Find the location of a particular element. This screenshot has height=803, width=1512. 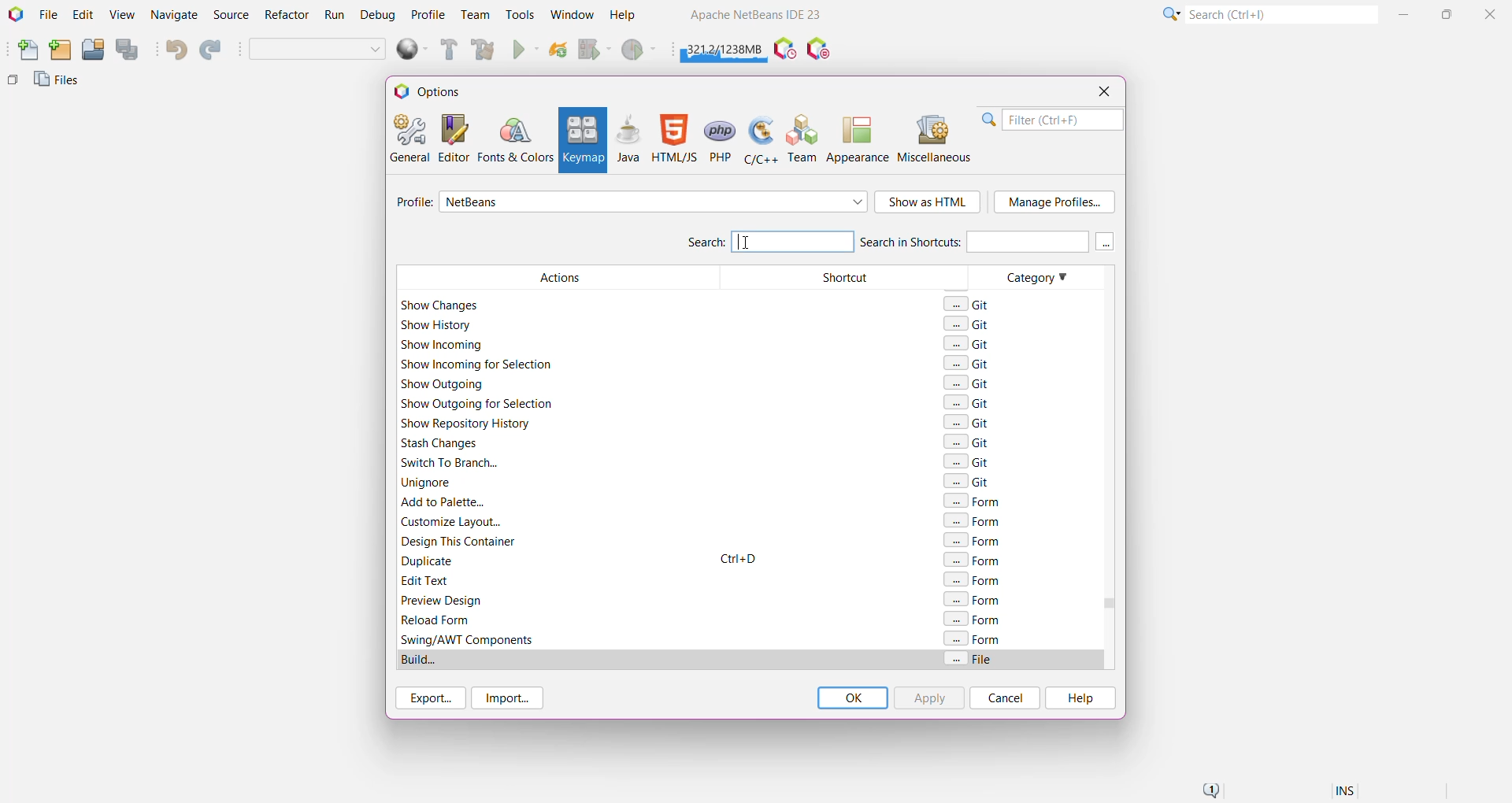

New Project is located at coordinates (60, 50).